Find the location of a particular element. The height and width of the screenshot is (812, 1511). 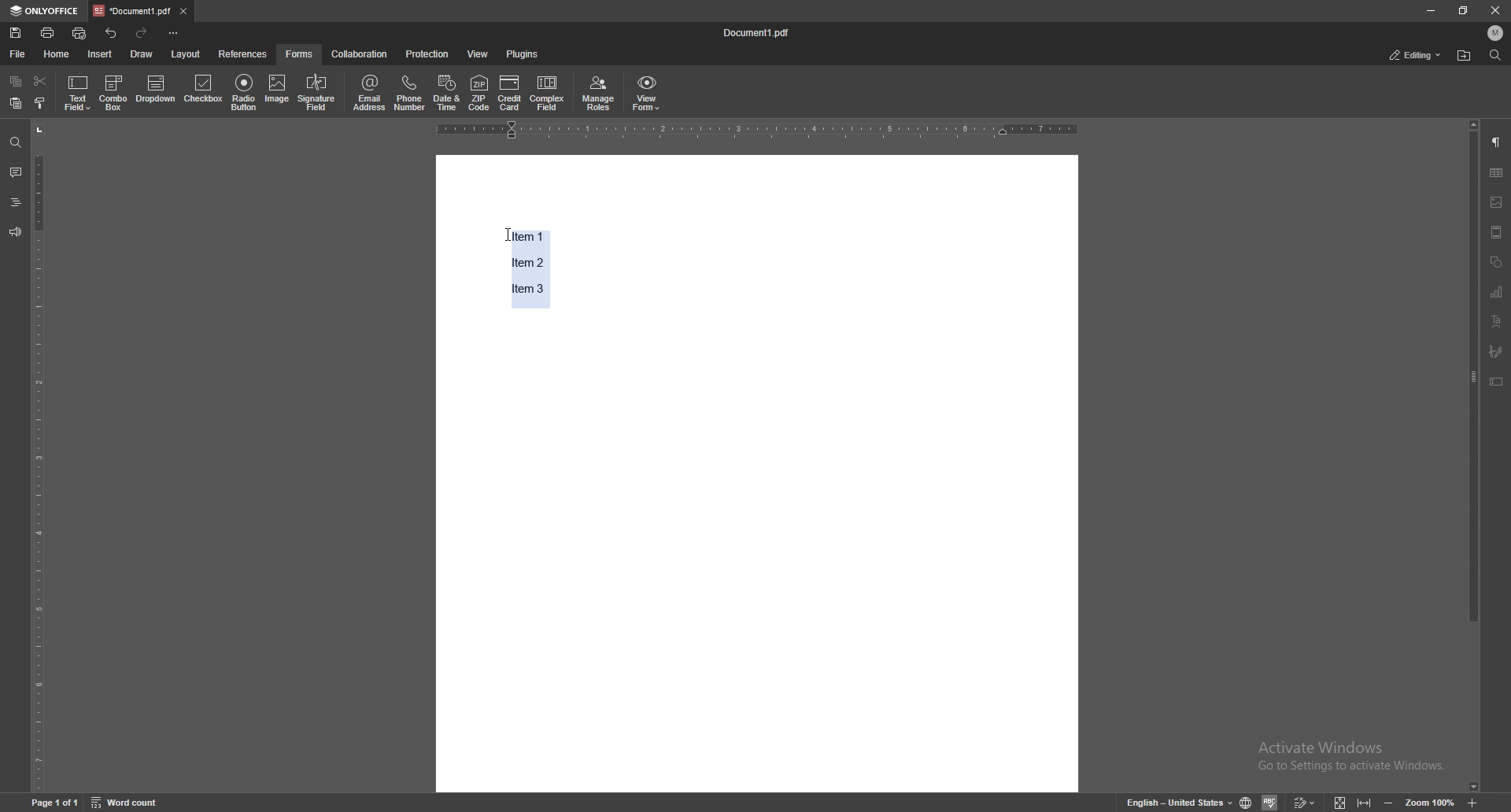

zoom out is located at coordinates (1390, 800).